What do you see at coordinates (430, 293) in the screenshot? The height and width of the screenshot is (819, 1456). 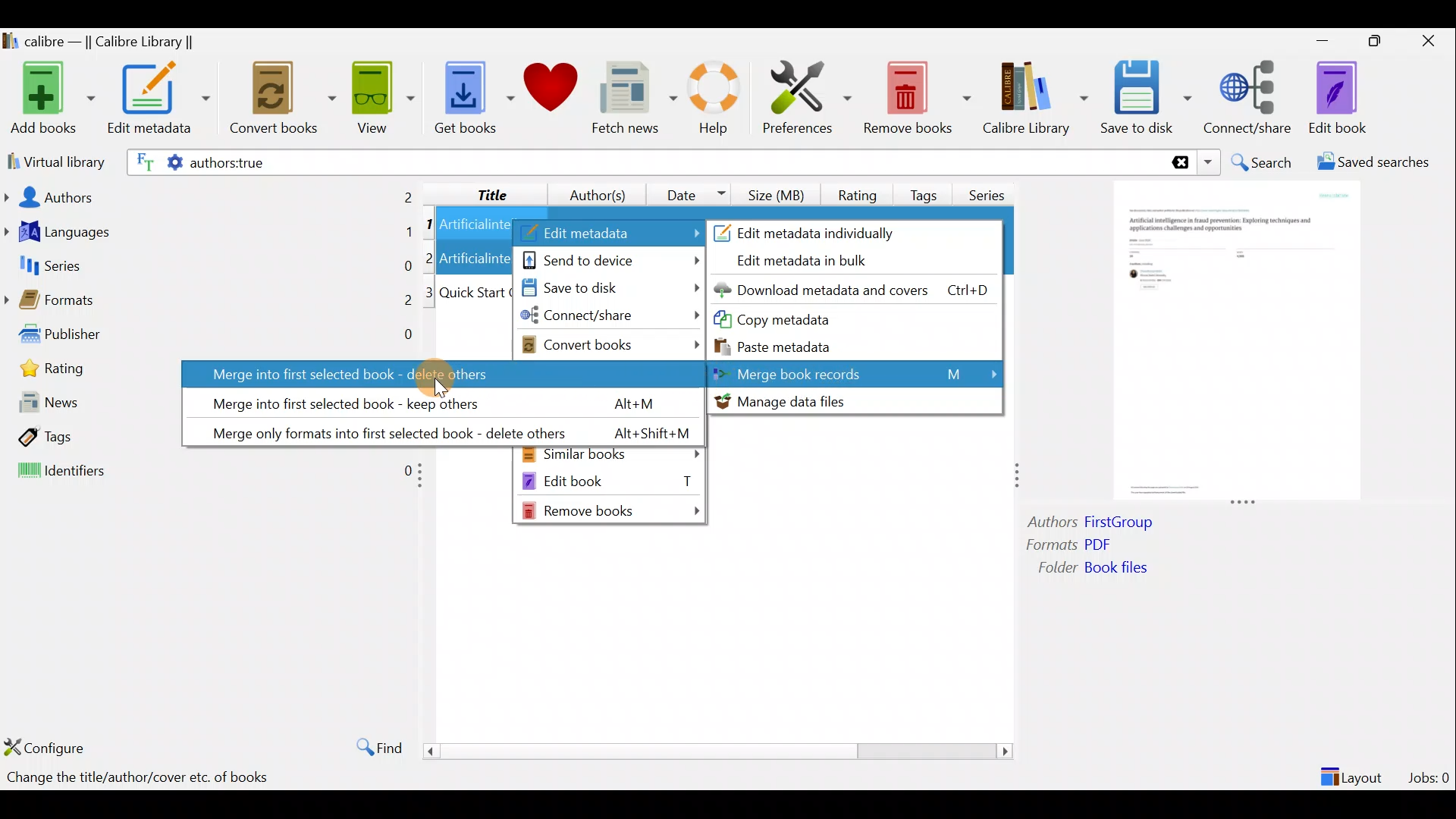 I see `3` at bounding box center [430, 293].